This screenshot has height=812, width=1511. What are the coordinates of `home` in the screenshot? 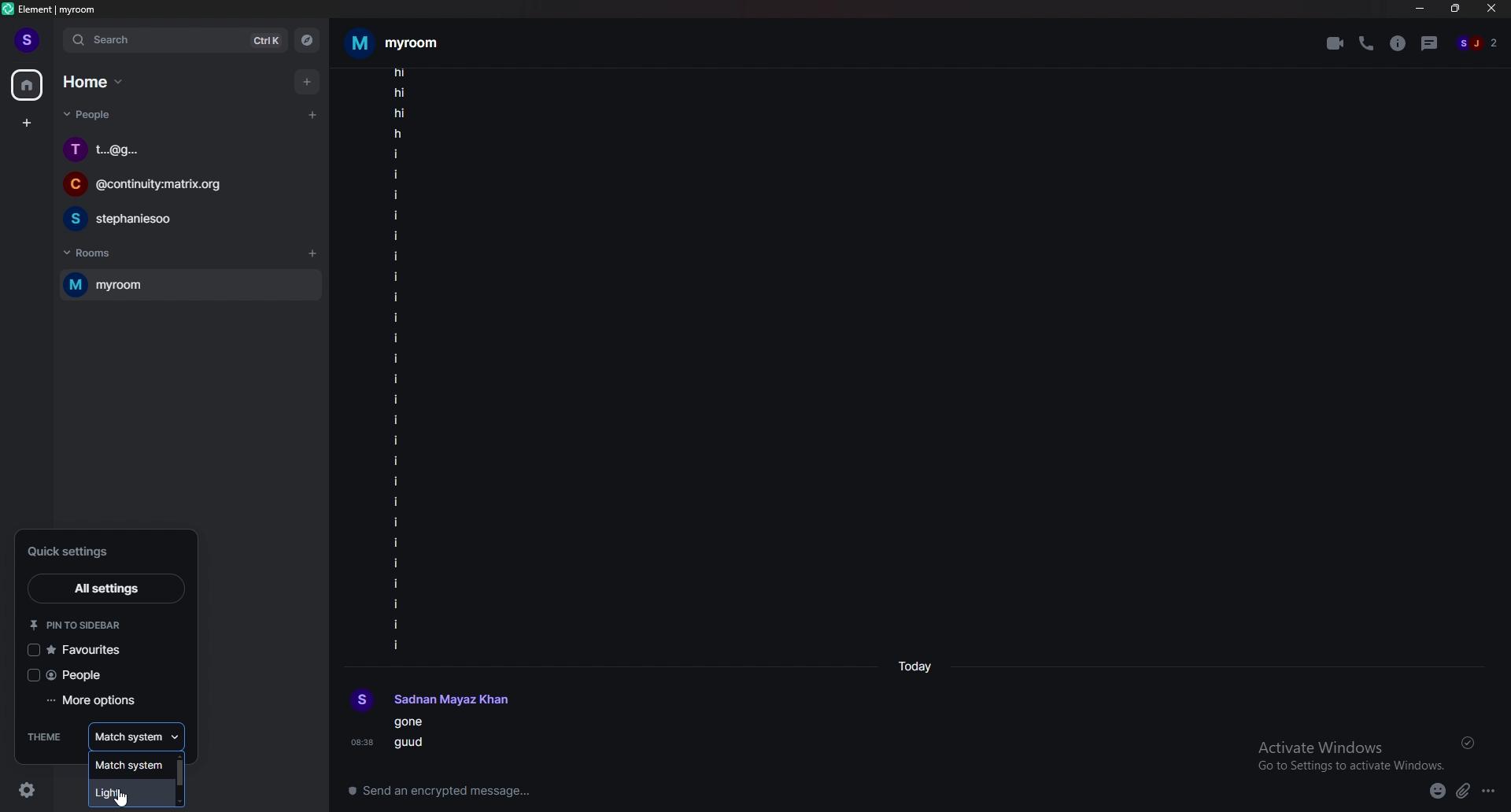 It's located at (93, 81).